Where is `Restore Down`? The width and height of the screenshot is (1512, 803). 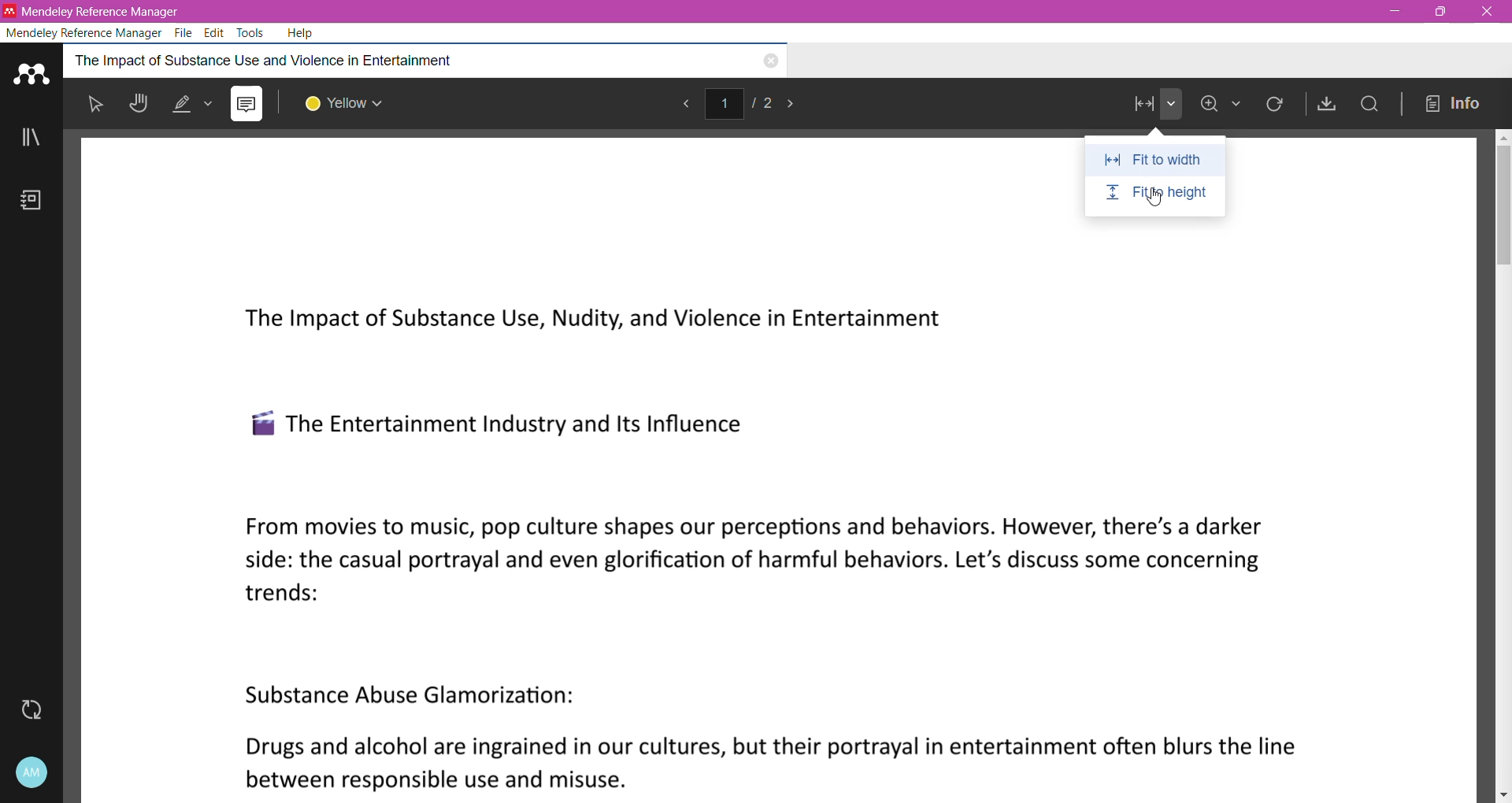 Restore Down is located at coordinates (1441, 11).